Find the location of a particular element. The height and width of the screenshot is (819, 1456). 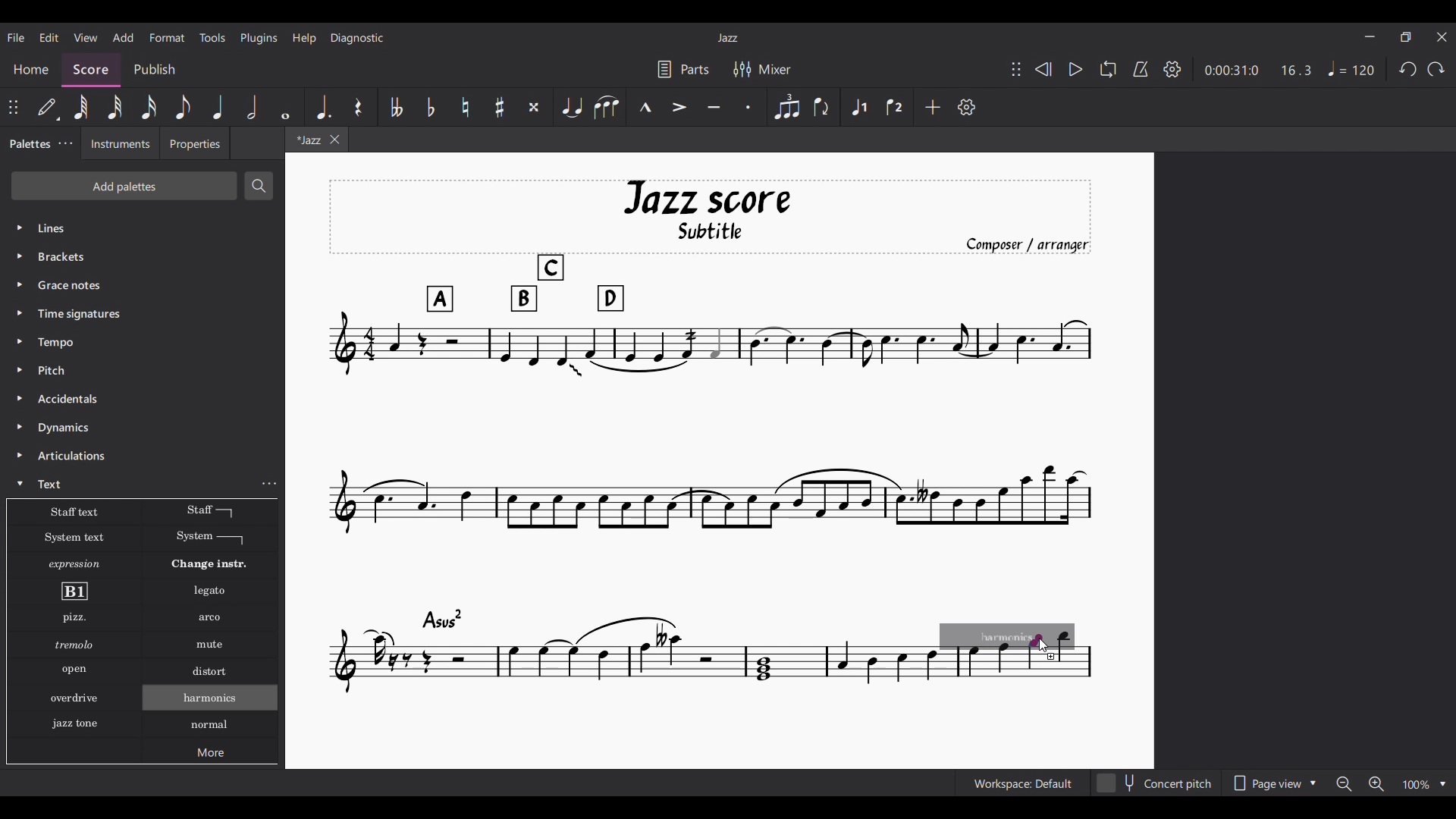

Search is located at coordinates (260, 186).